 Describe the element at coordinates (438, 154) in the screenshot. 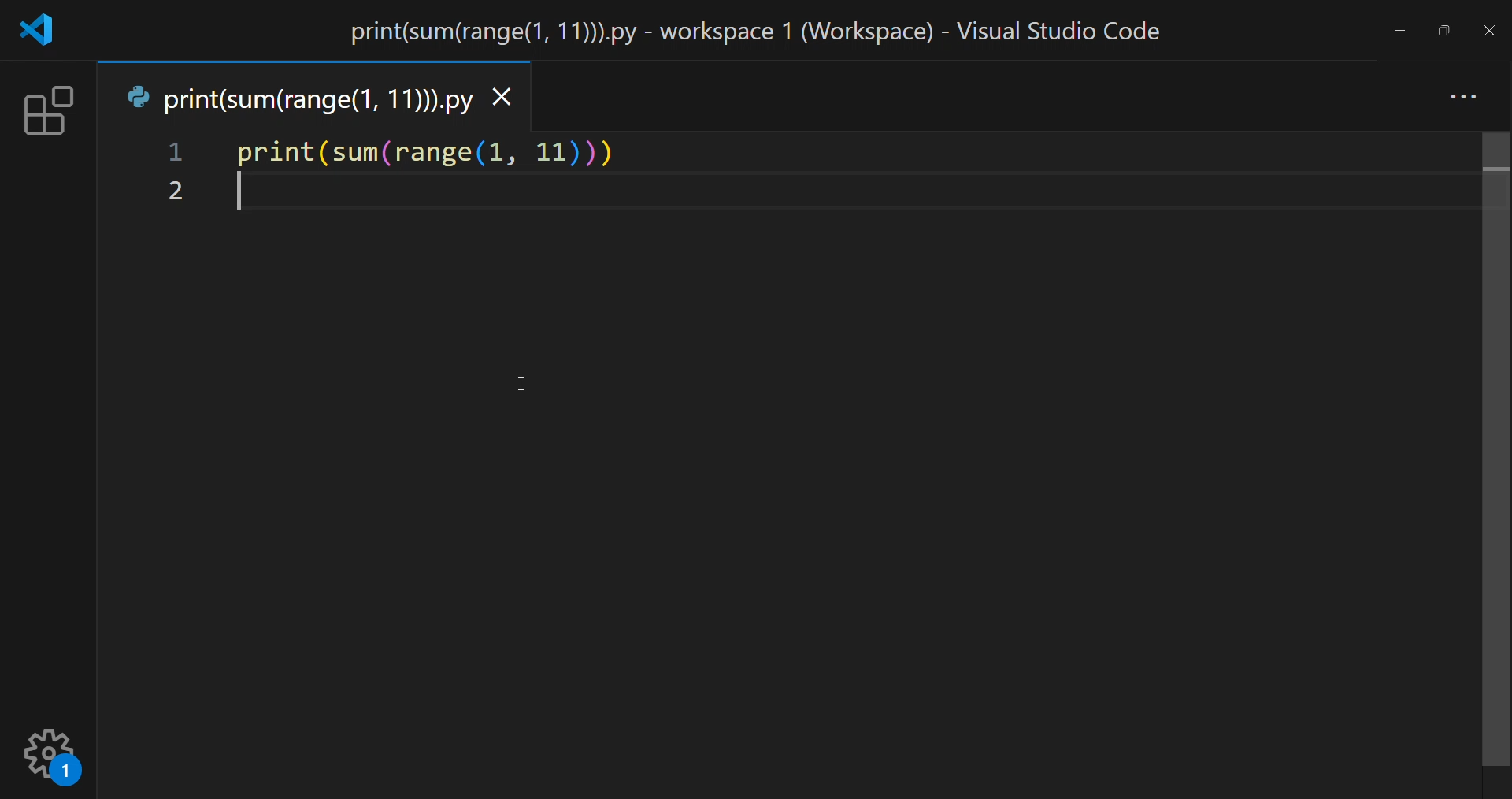

I see `print(sum(range(1, 11)))` at that location.